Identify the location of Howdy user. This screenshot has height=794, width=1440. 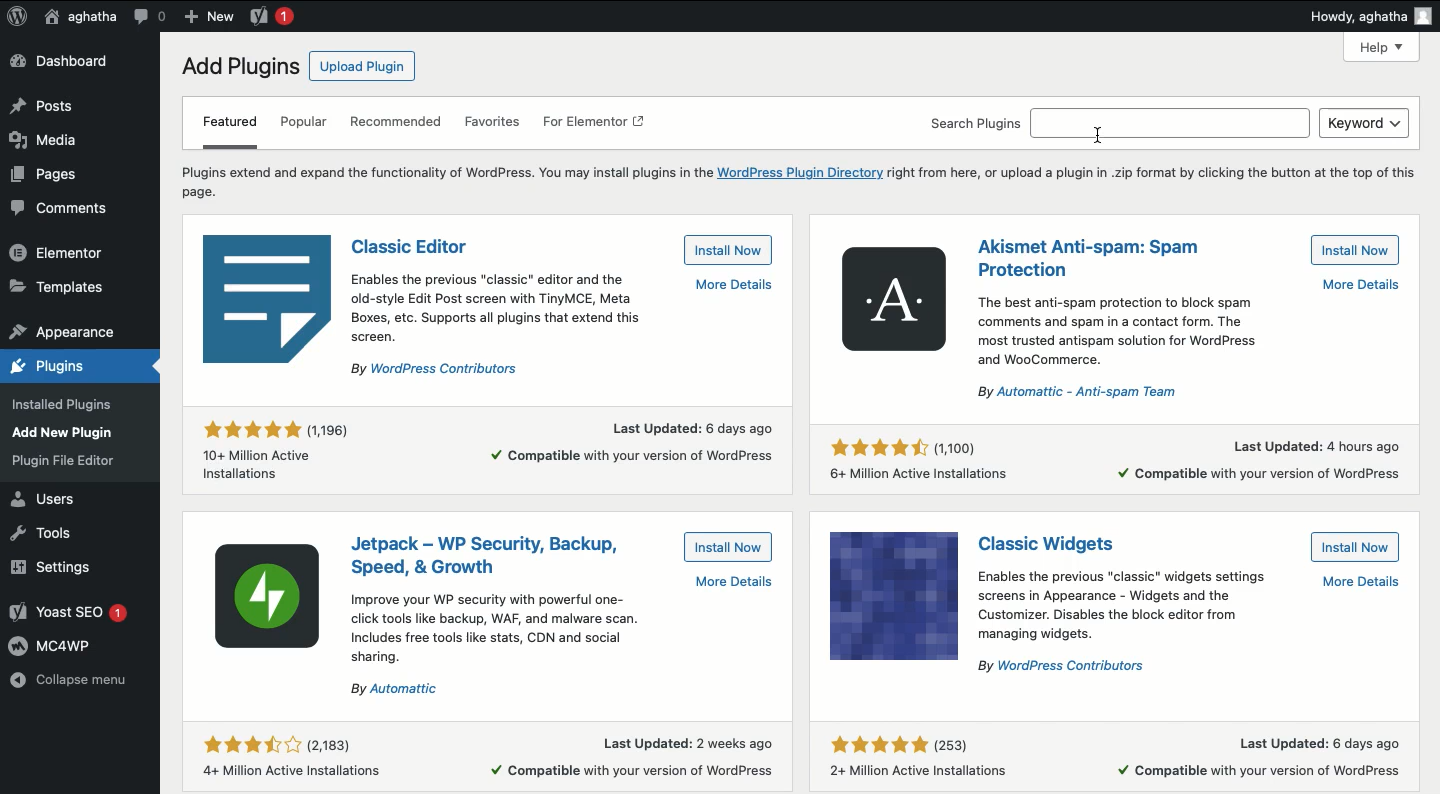
(1370, 16).